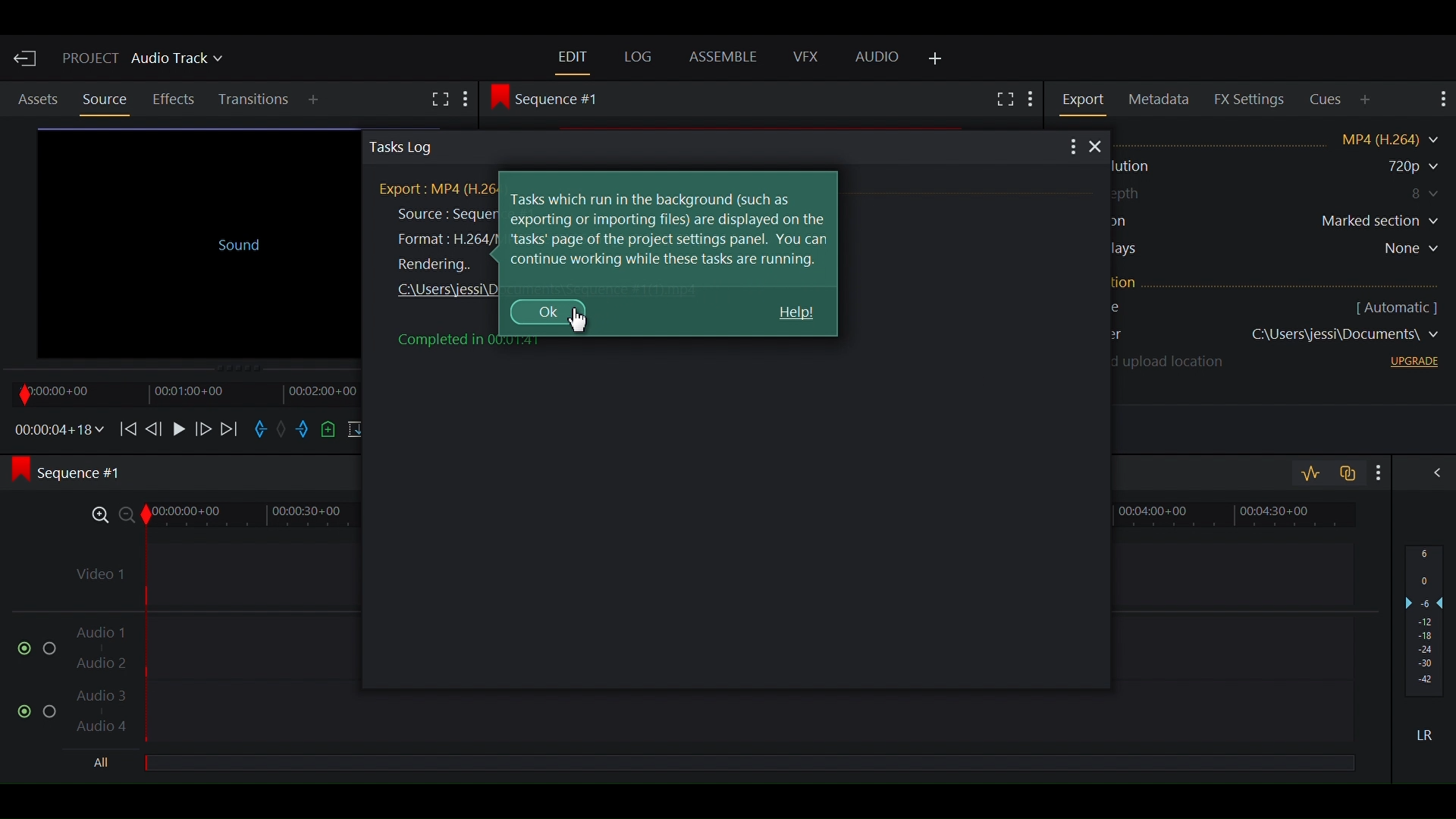  I want to click on Metadata, so click(1162, 100).